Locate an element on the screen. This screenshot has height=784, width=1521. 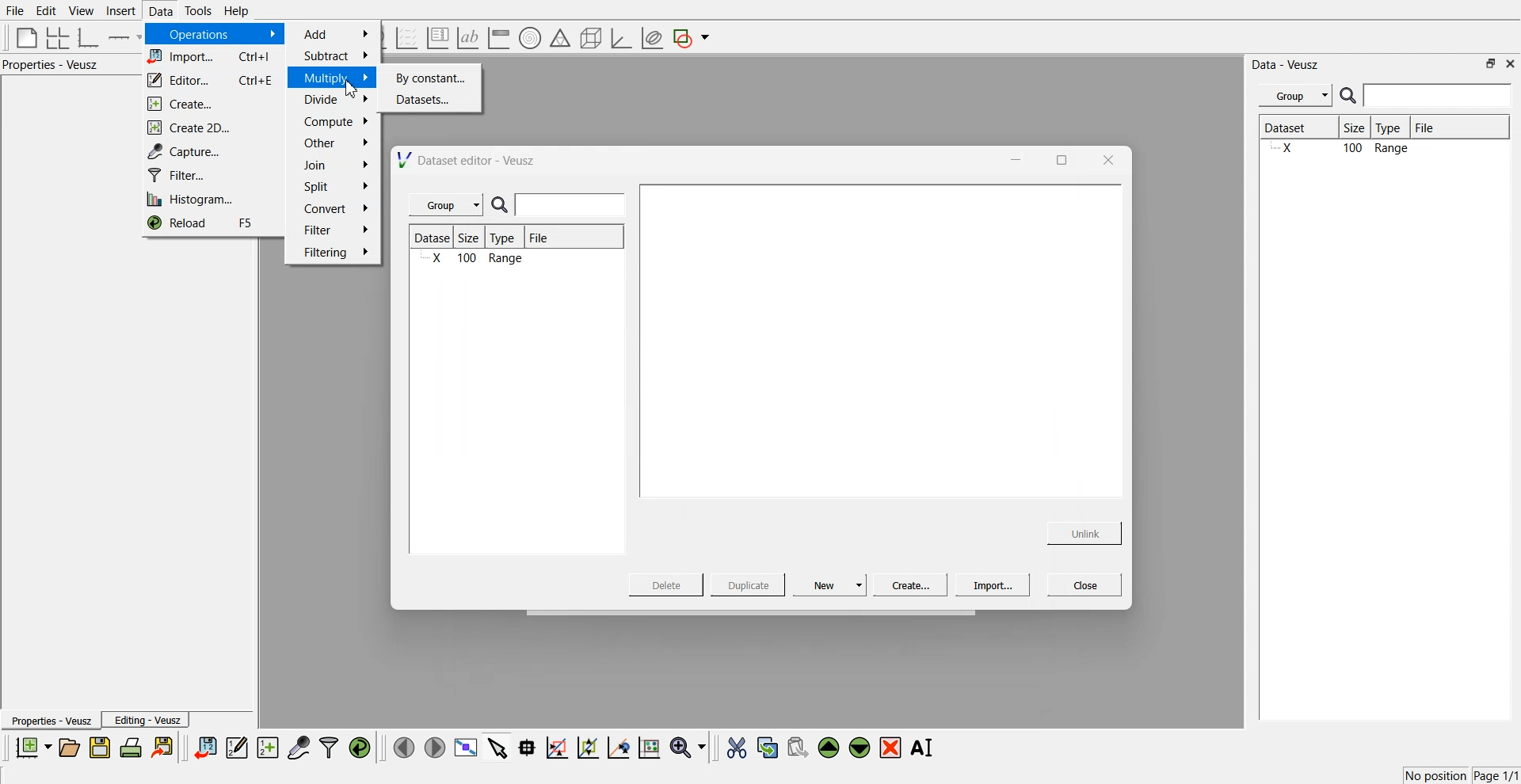
Rename the selected widgets is located at coordinates (925, 748).